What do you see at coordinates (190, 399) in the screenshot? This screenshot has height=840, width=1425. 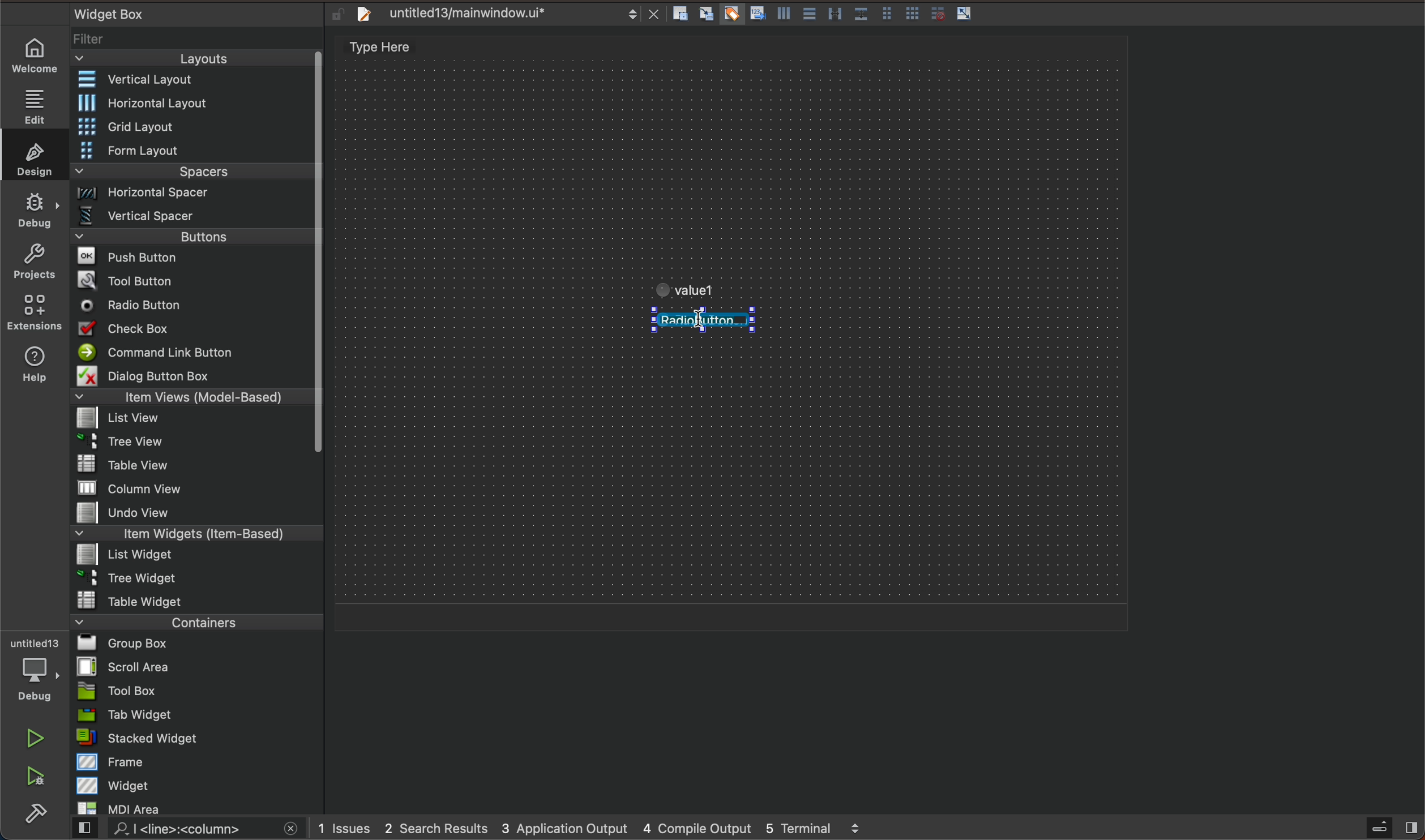 I see `item views` at bounding box center [190, 399].